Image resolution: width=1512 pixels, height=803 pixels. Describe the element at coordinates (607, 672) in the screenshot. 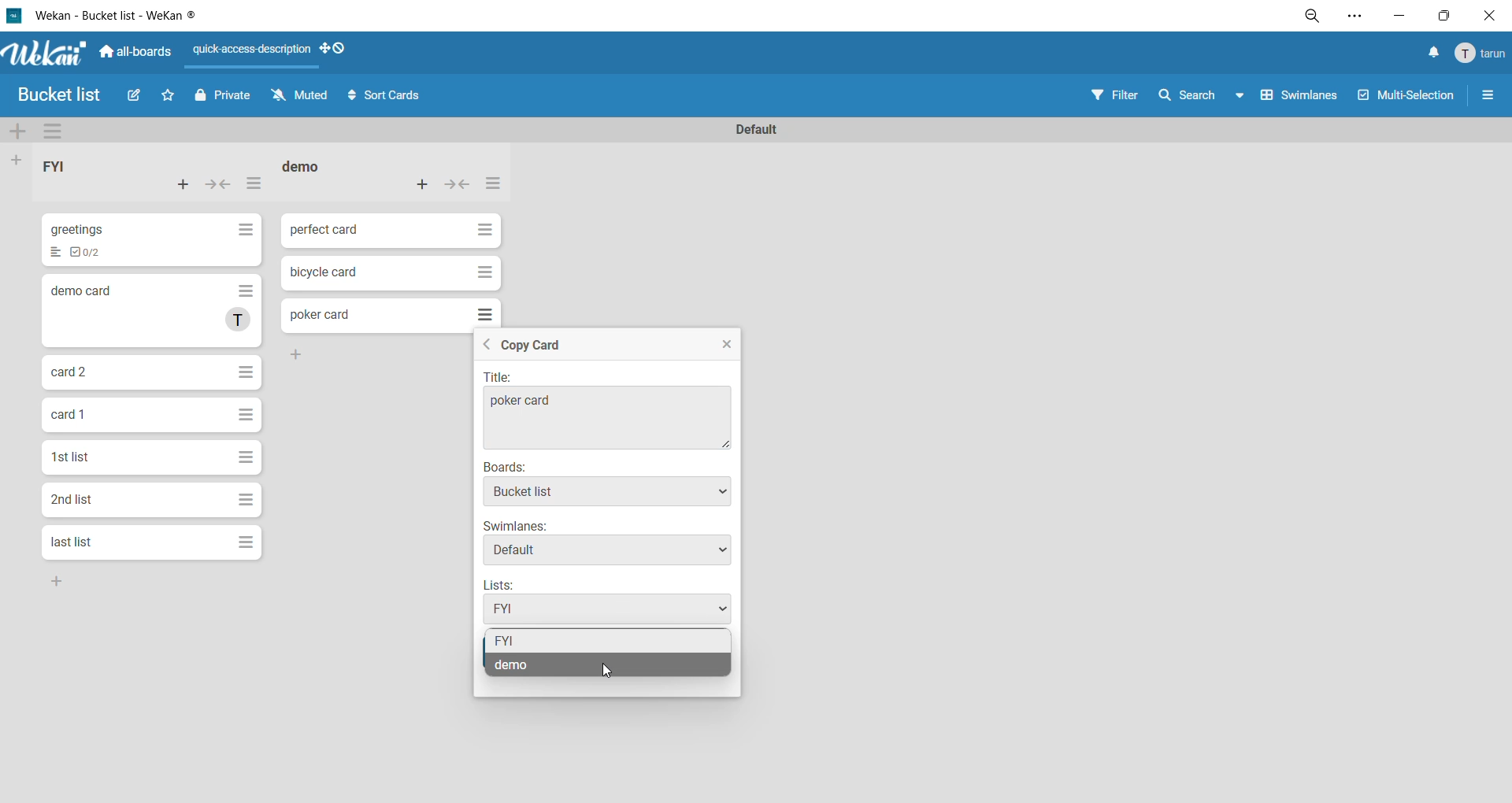

I see `cursor` at that location.